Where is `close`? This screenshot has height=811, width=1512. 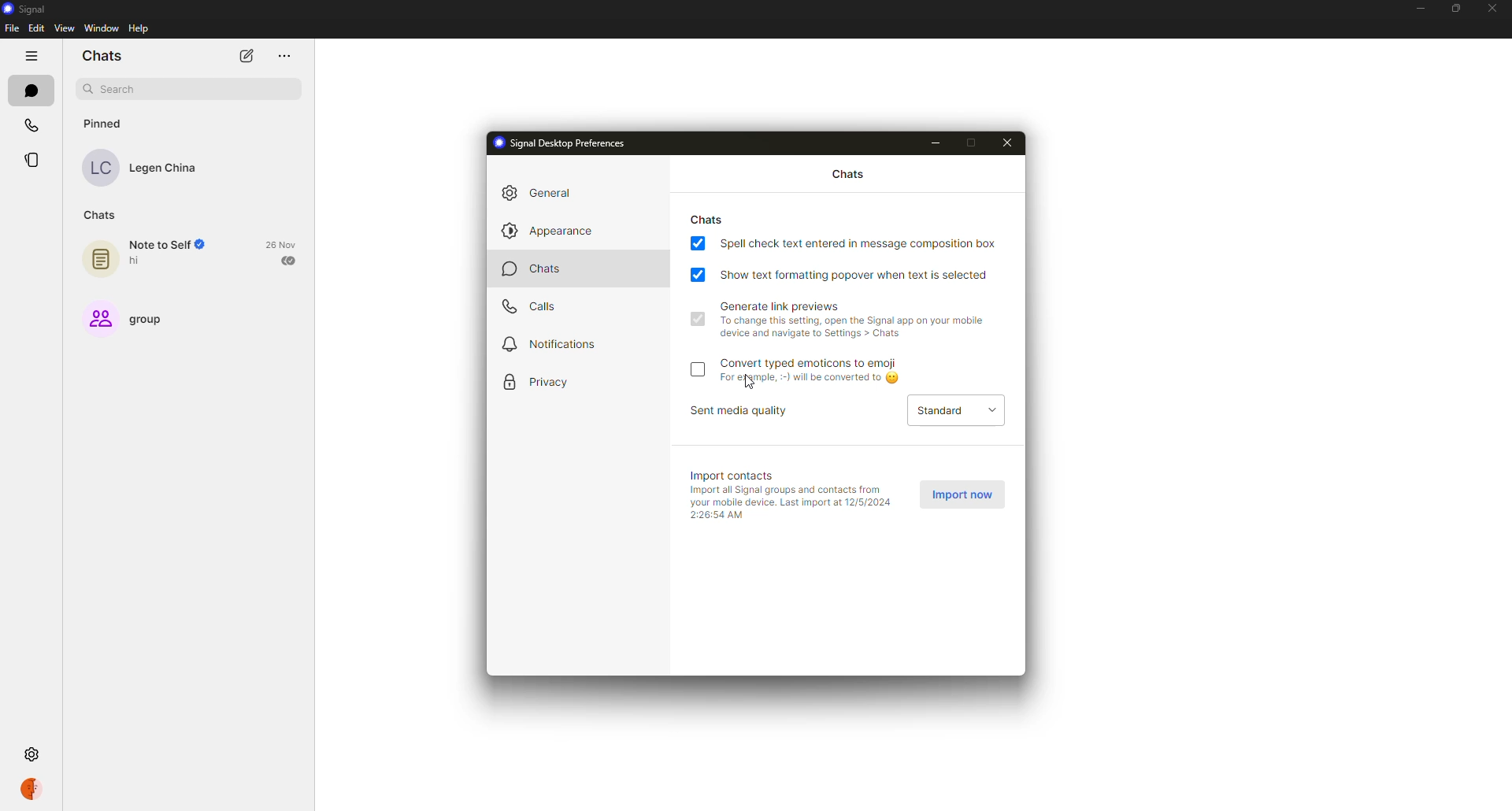
close is located at coordinates (1009, 143).